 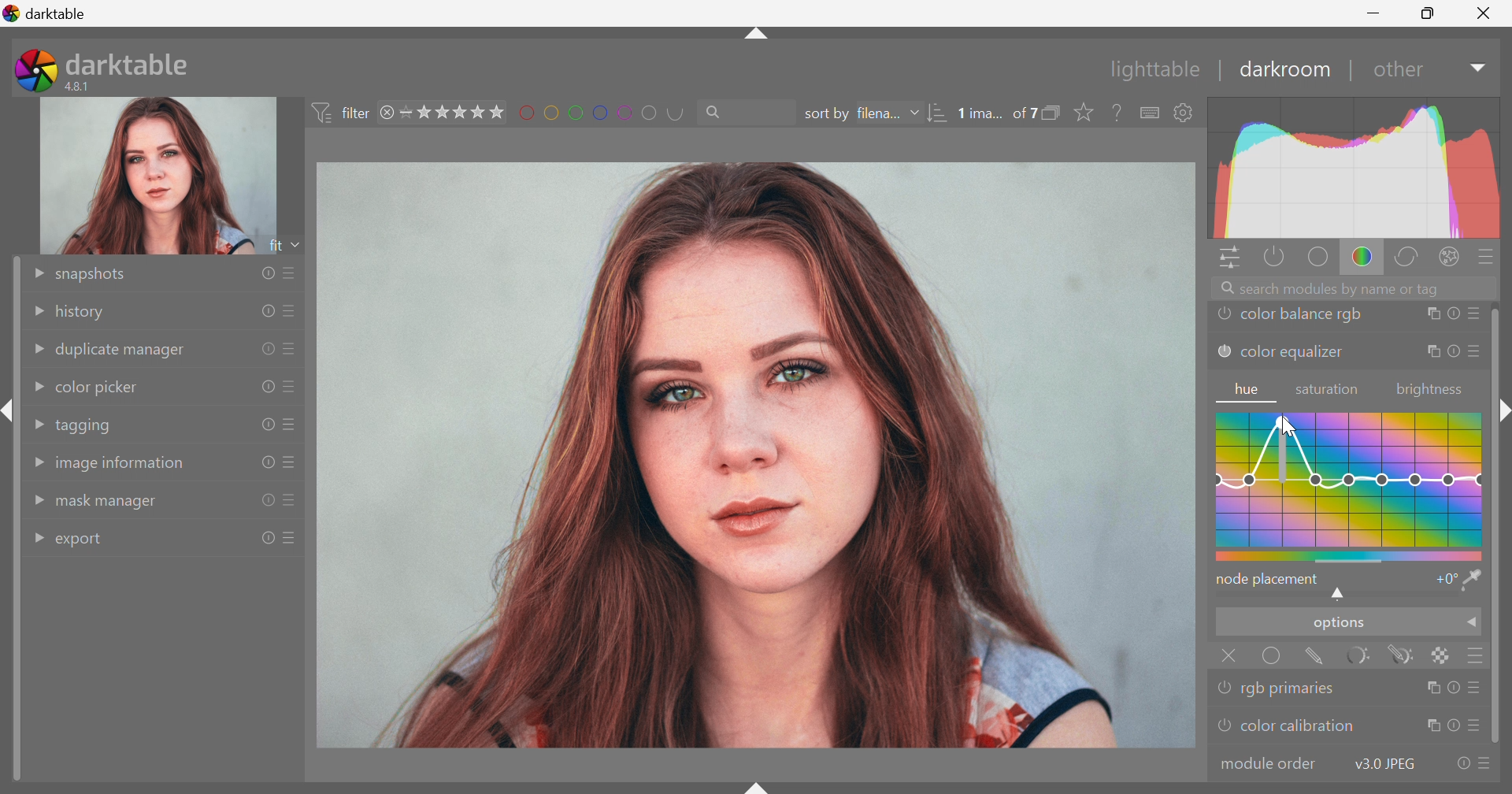 I want to click on reset, so click(x=265, y=538).